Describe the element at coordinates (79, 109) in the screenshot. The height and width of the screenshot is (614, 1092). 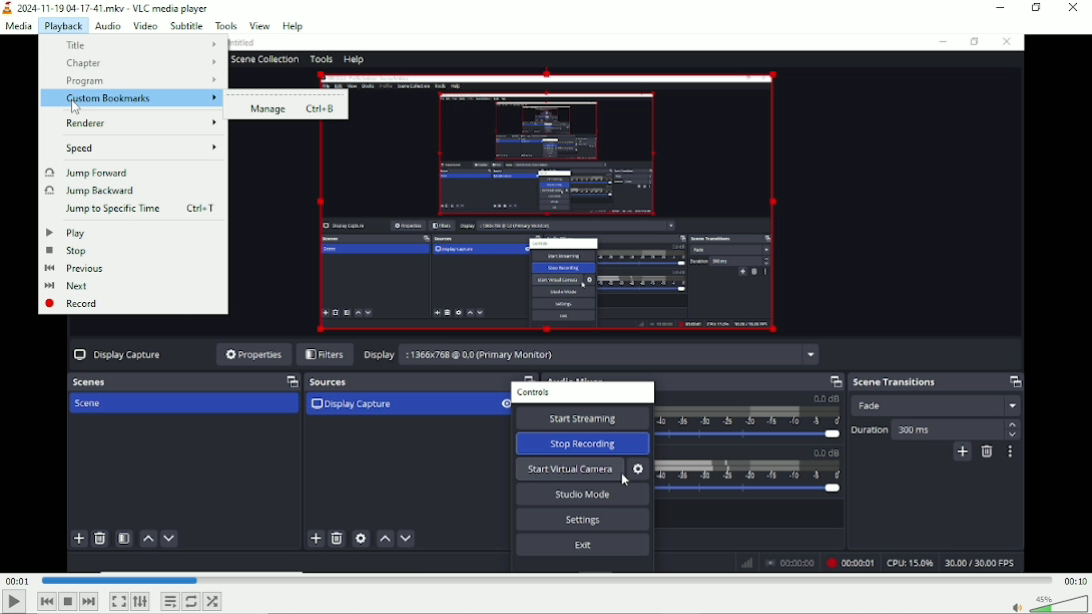
I see `Cursor` at that location.